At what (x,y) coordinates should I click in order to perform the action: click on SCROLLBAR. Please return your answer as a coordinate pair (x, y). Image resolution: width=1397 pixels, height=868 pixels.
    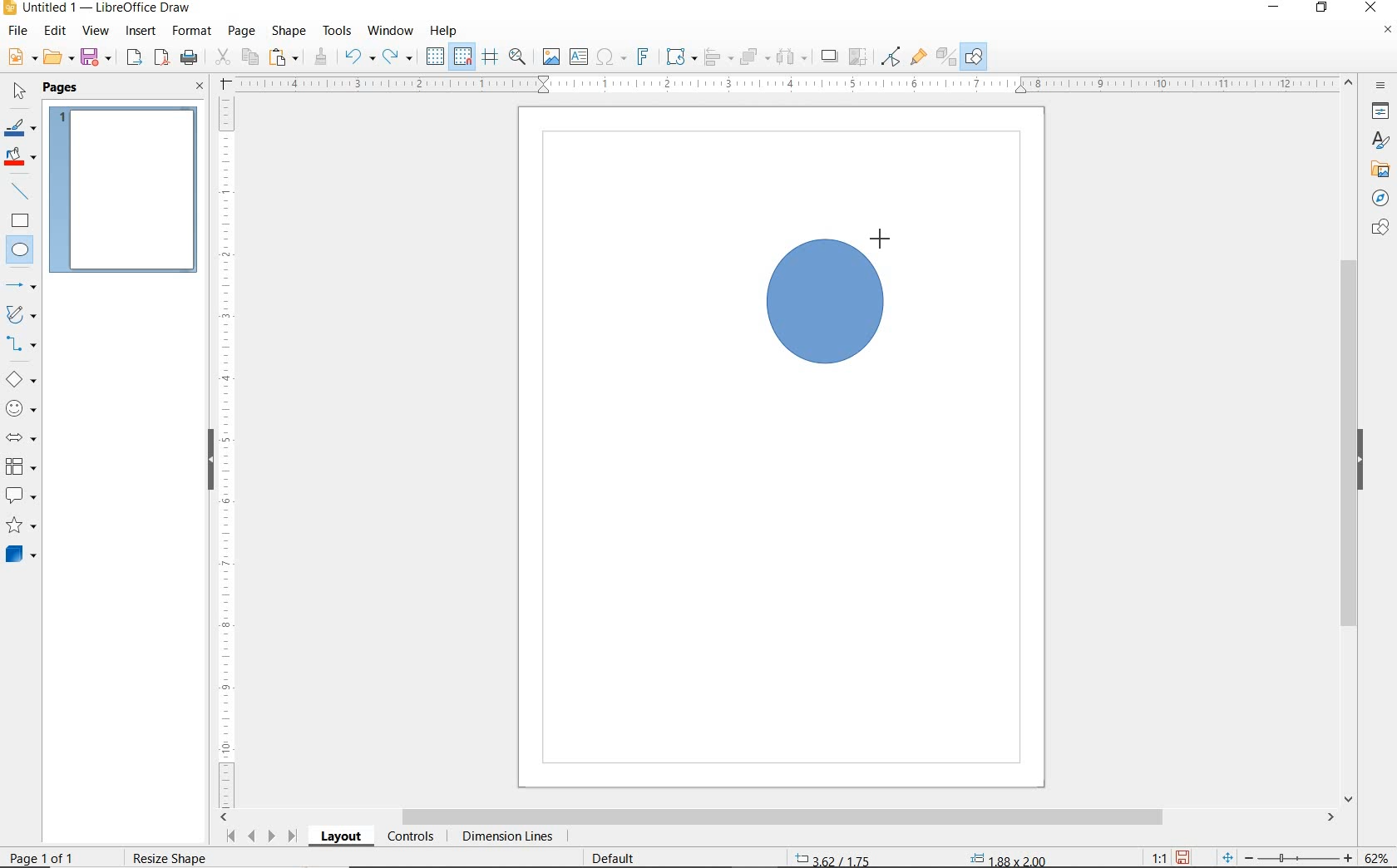
    Looking at the image, I should click on (1349, 441).